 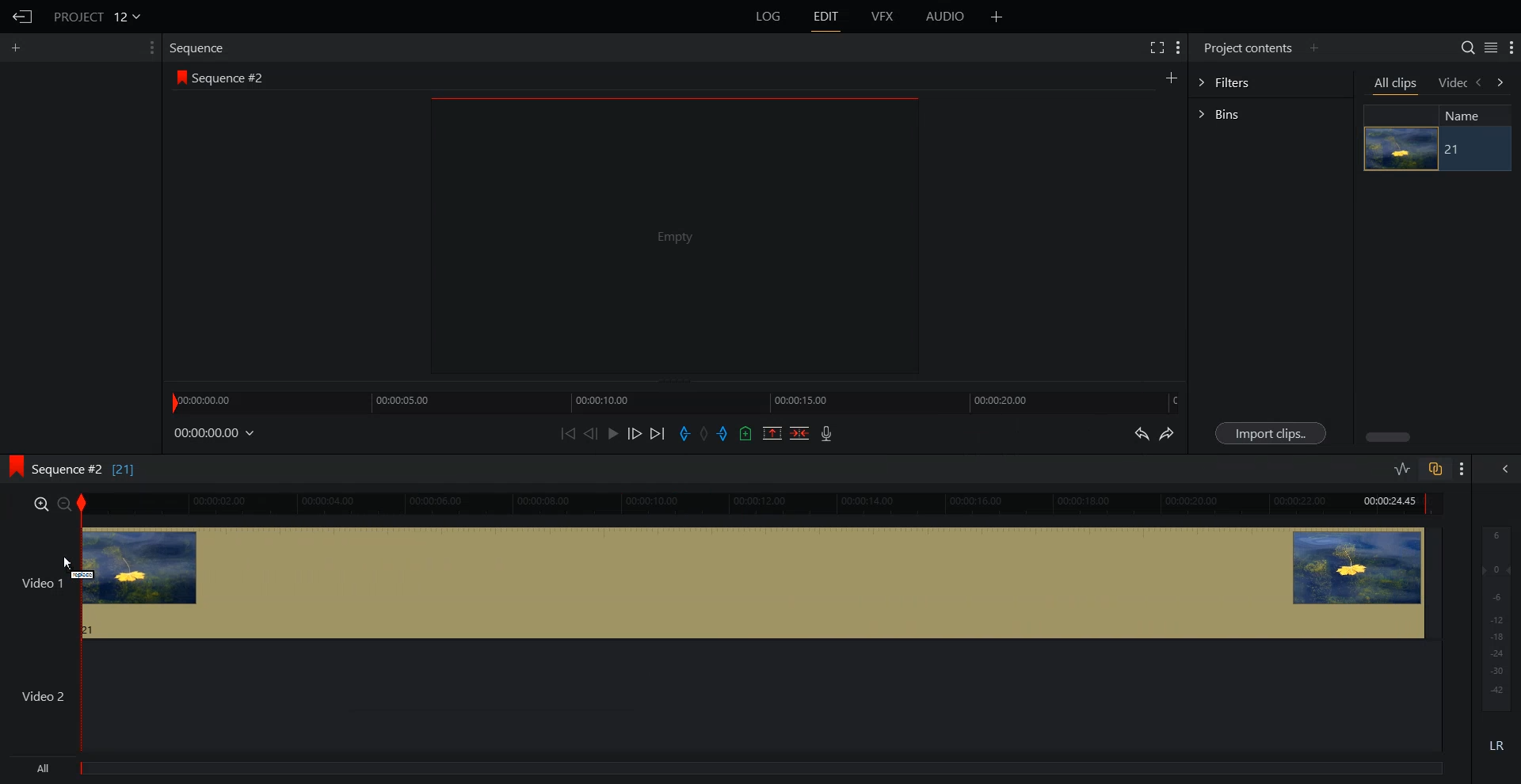 I want to click on Add Panel, so click(x=997, y=17).